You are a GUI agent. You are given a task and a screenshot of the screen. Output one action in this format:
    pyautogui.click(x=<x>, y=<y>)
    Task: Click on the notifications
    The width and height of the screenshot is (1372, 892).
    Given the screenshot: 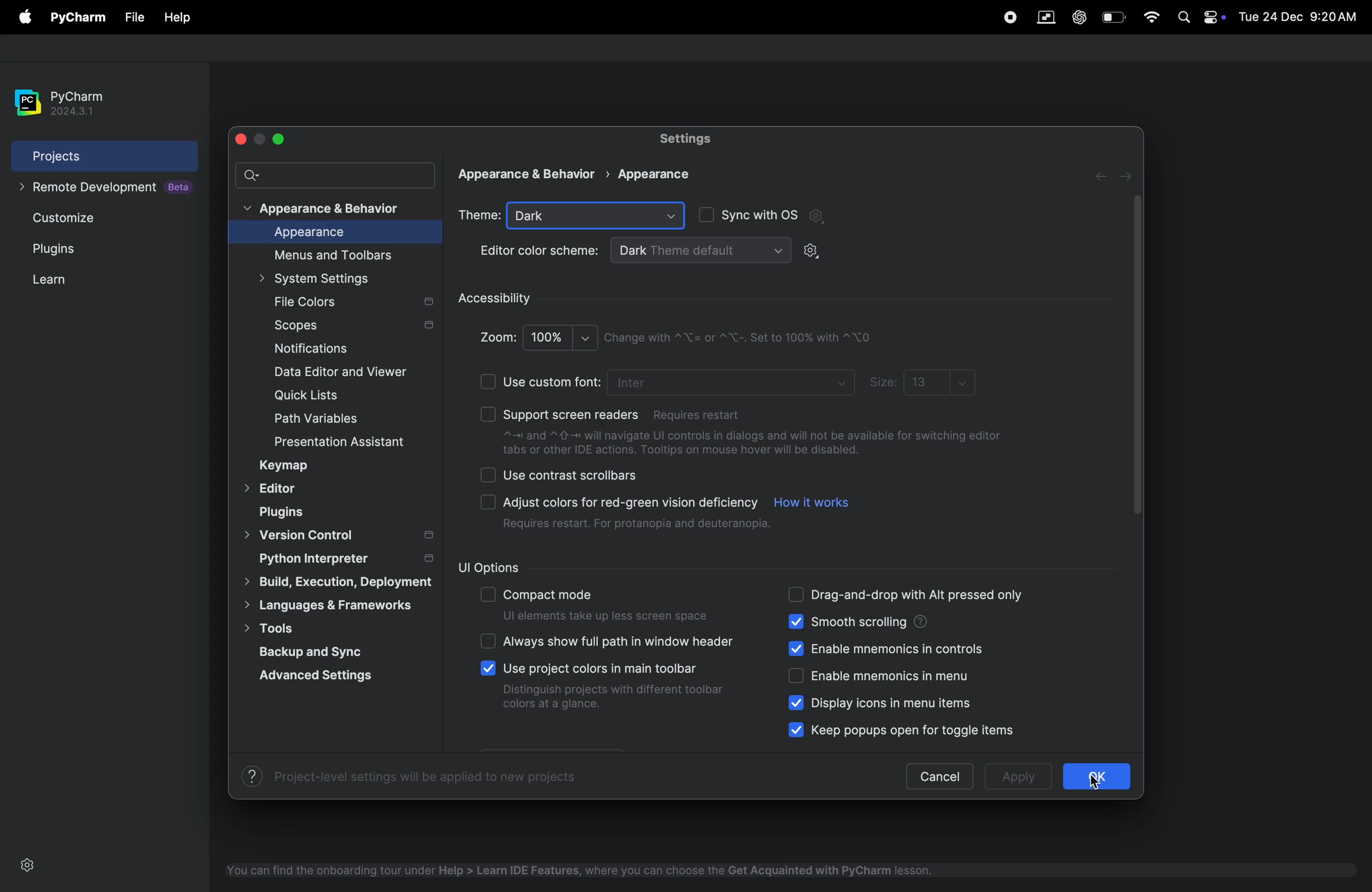 What is the action you would take?
    pyautogui.click(x=306, y=350)
    